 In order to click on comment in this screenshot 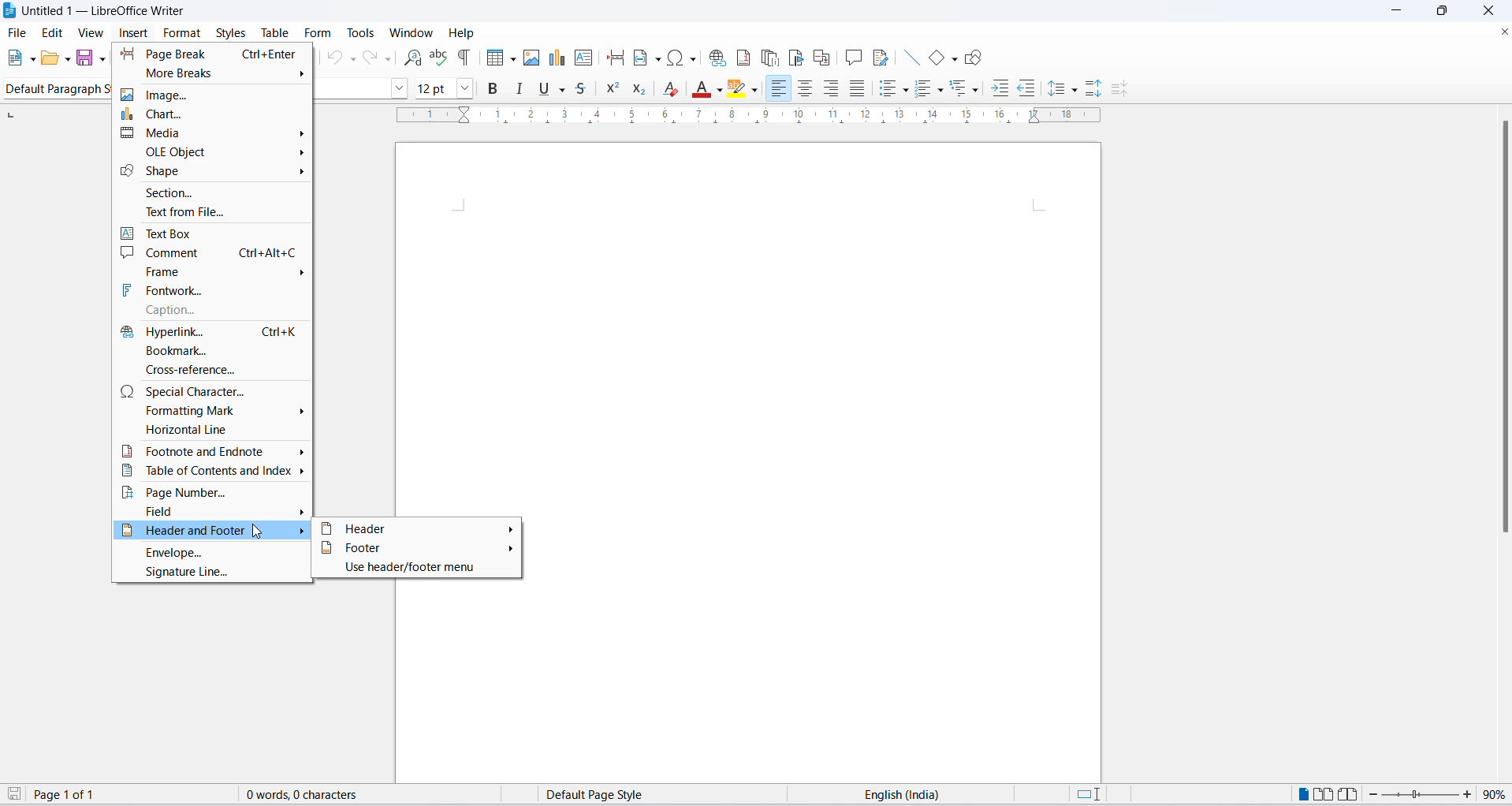, I will do `click(213, 252)`.